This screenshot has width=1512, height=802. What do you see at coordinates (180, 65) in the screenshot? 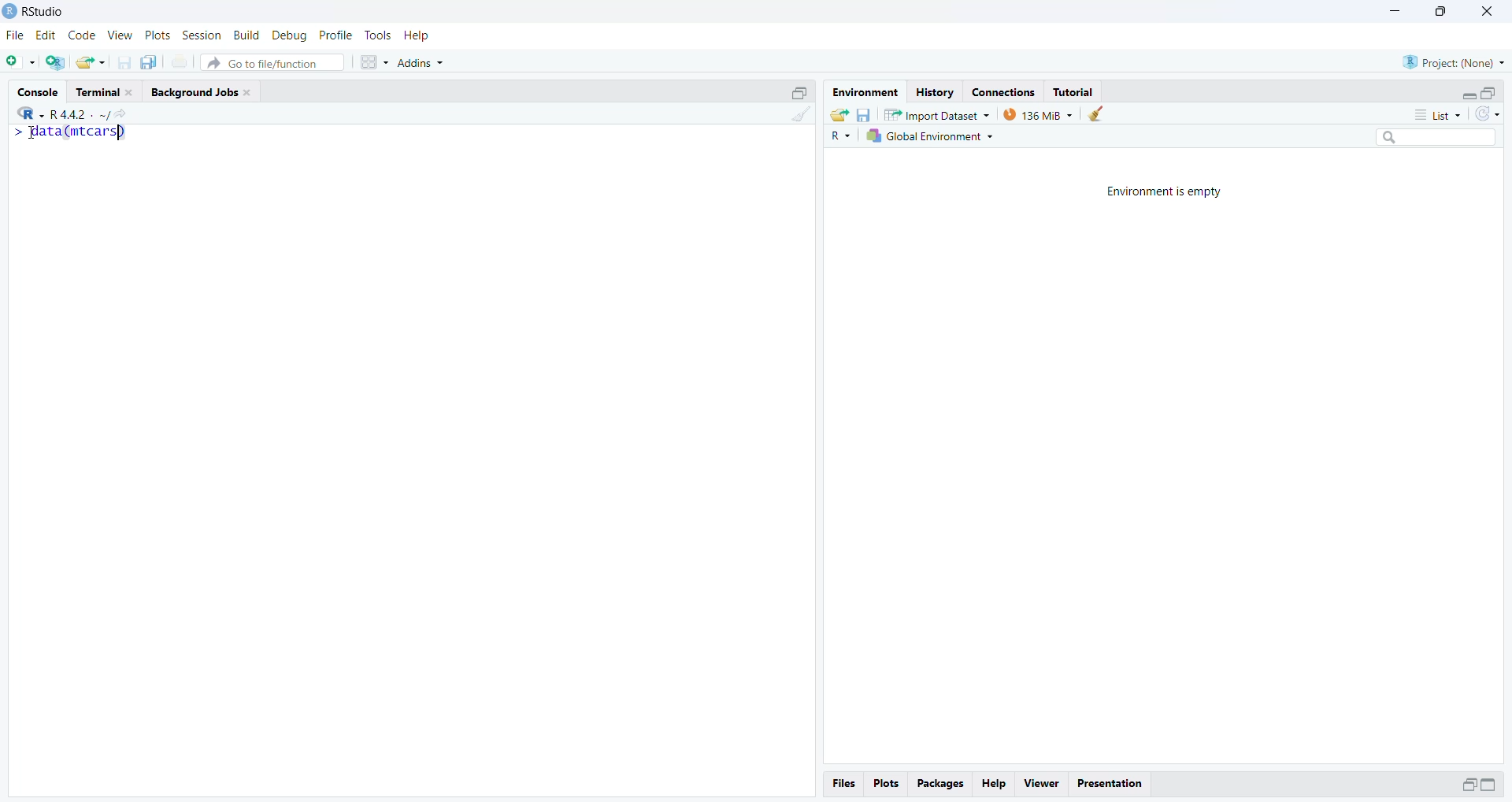
I see `Print the current file` at bounding box center [180, 65].